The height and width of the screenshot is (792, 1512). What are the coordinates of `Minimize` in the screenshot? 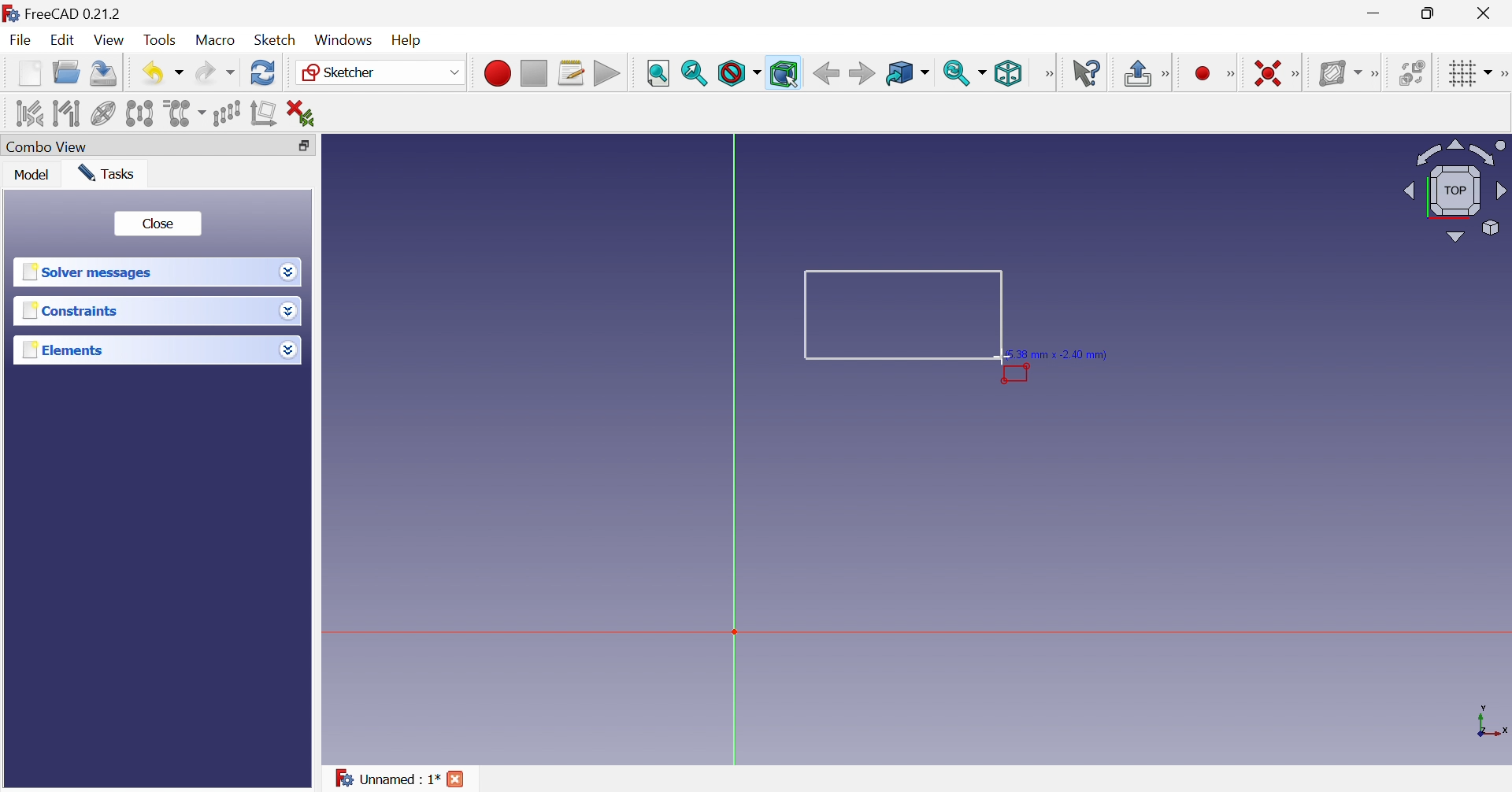 It's located at (1379, 12).